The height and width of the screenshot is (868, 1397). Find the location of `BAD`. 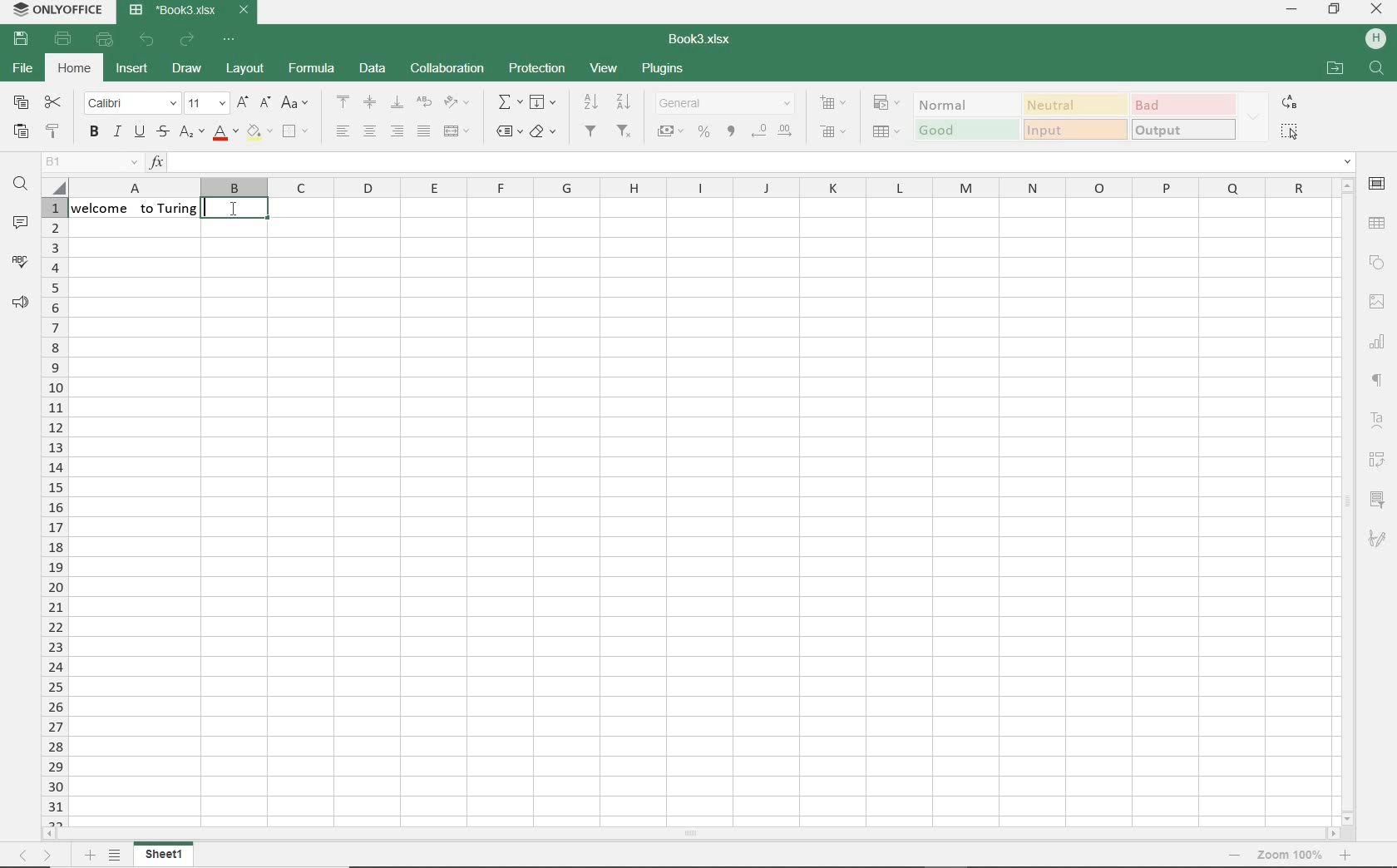

BAD is located at coordinates (1180, 105).